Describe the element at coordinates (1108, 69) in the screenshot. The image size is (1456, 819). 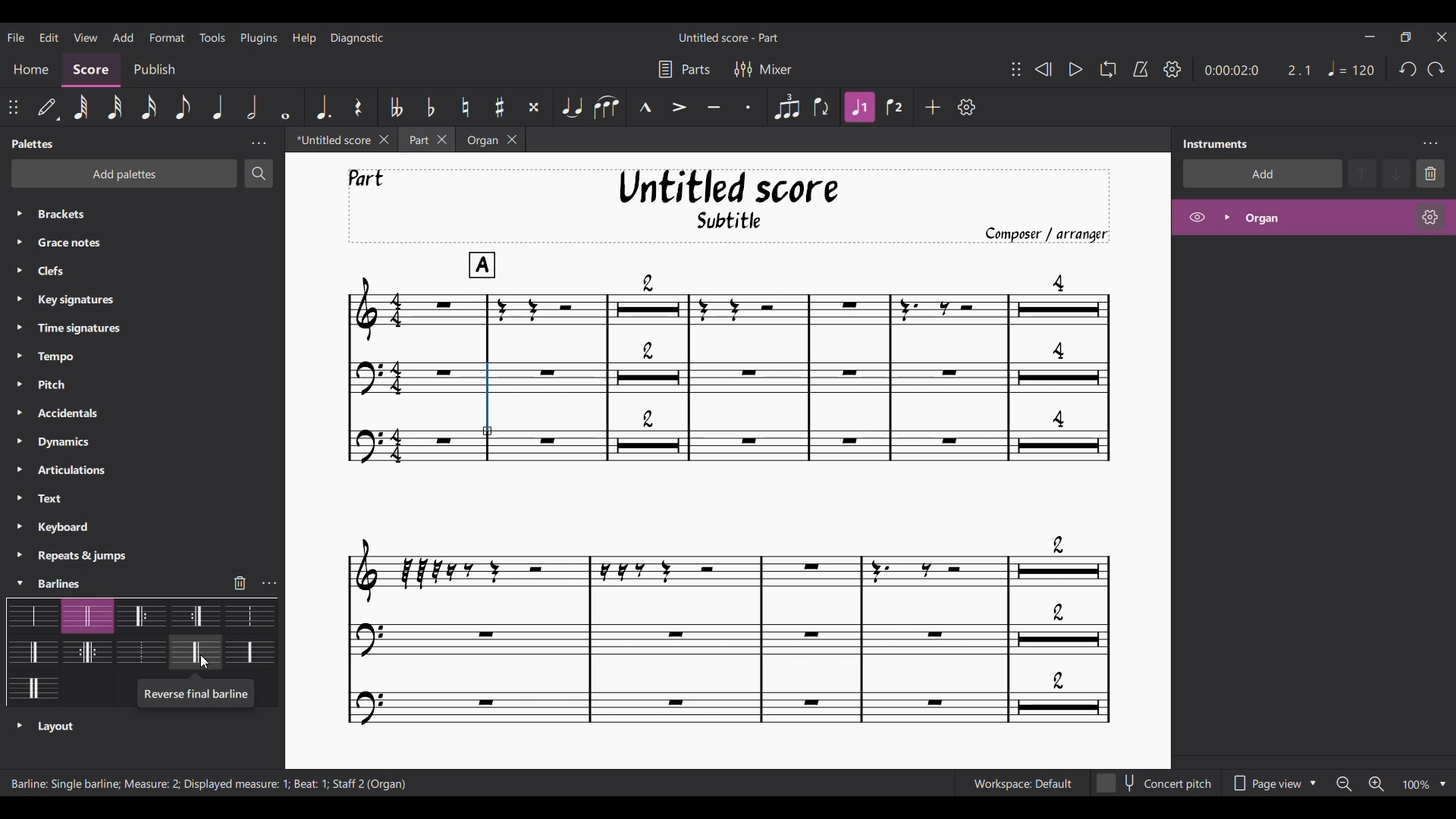
I see `Loop playback` at that location.